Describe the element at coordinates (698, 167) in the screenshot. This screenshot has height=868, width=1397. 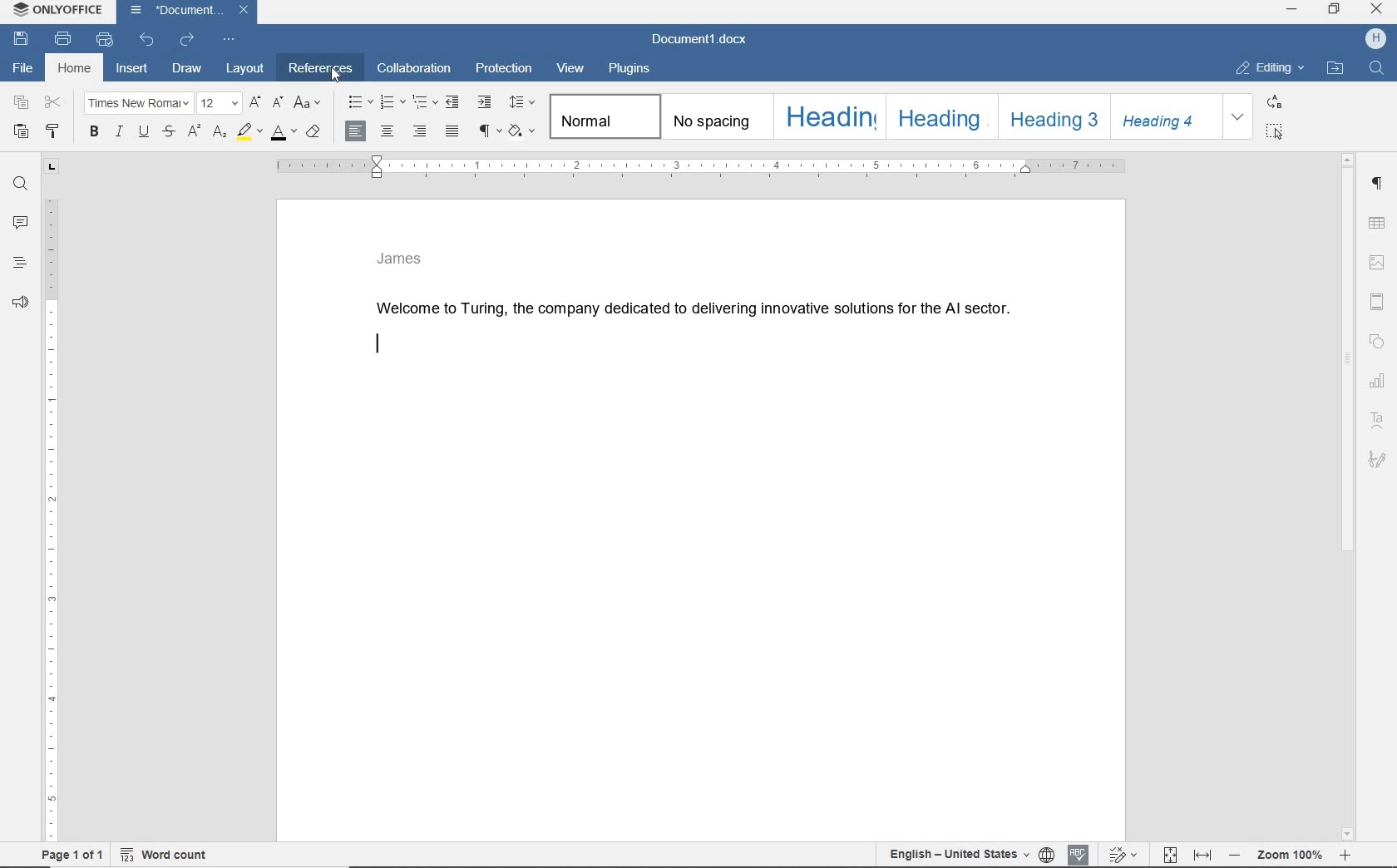
I see `ruler` at that location.